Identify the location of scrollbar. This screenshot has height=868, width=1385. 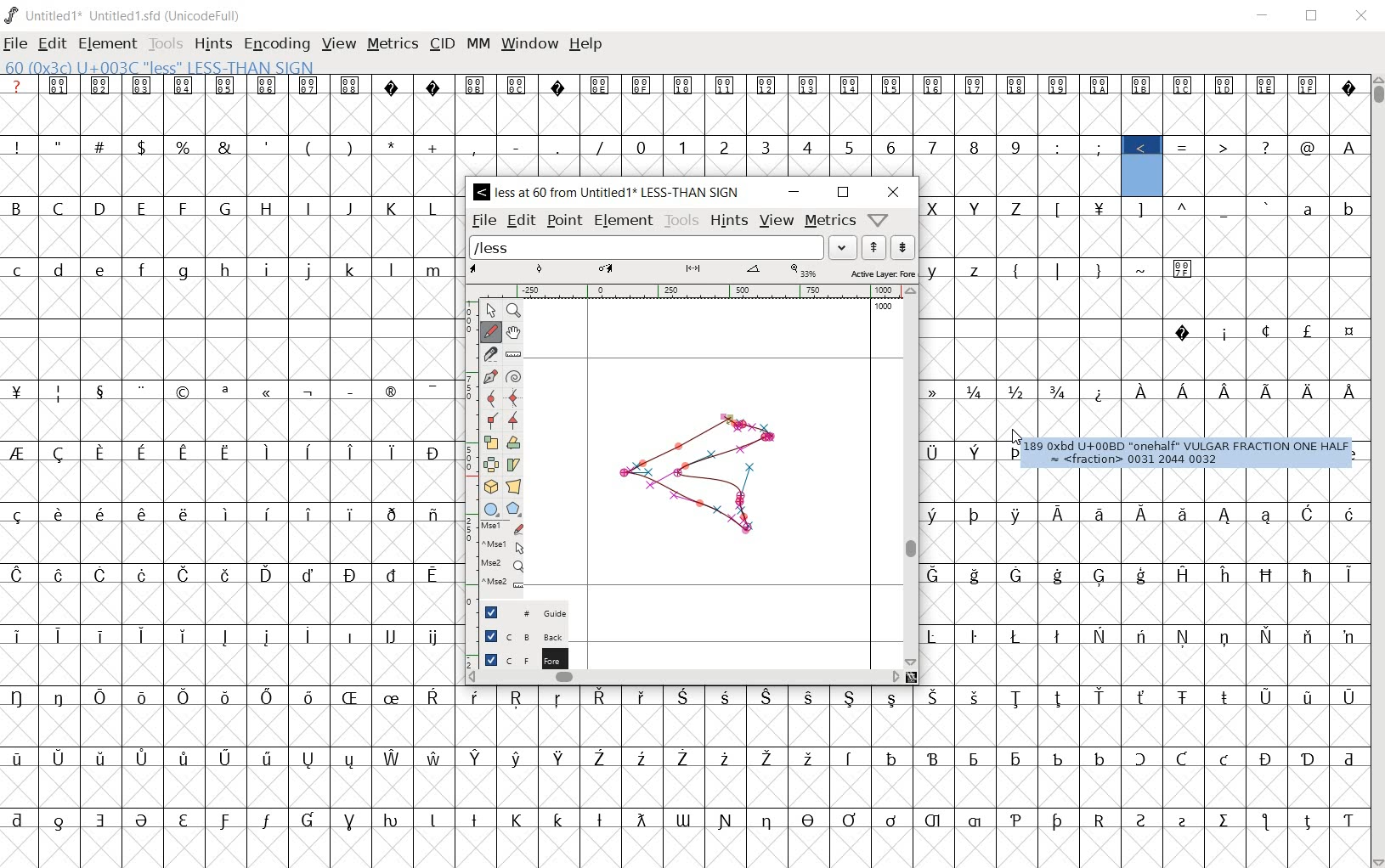
(911, 476).